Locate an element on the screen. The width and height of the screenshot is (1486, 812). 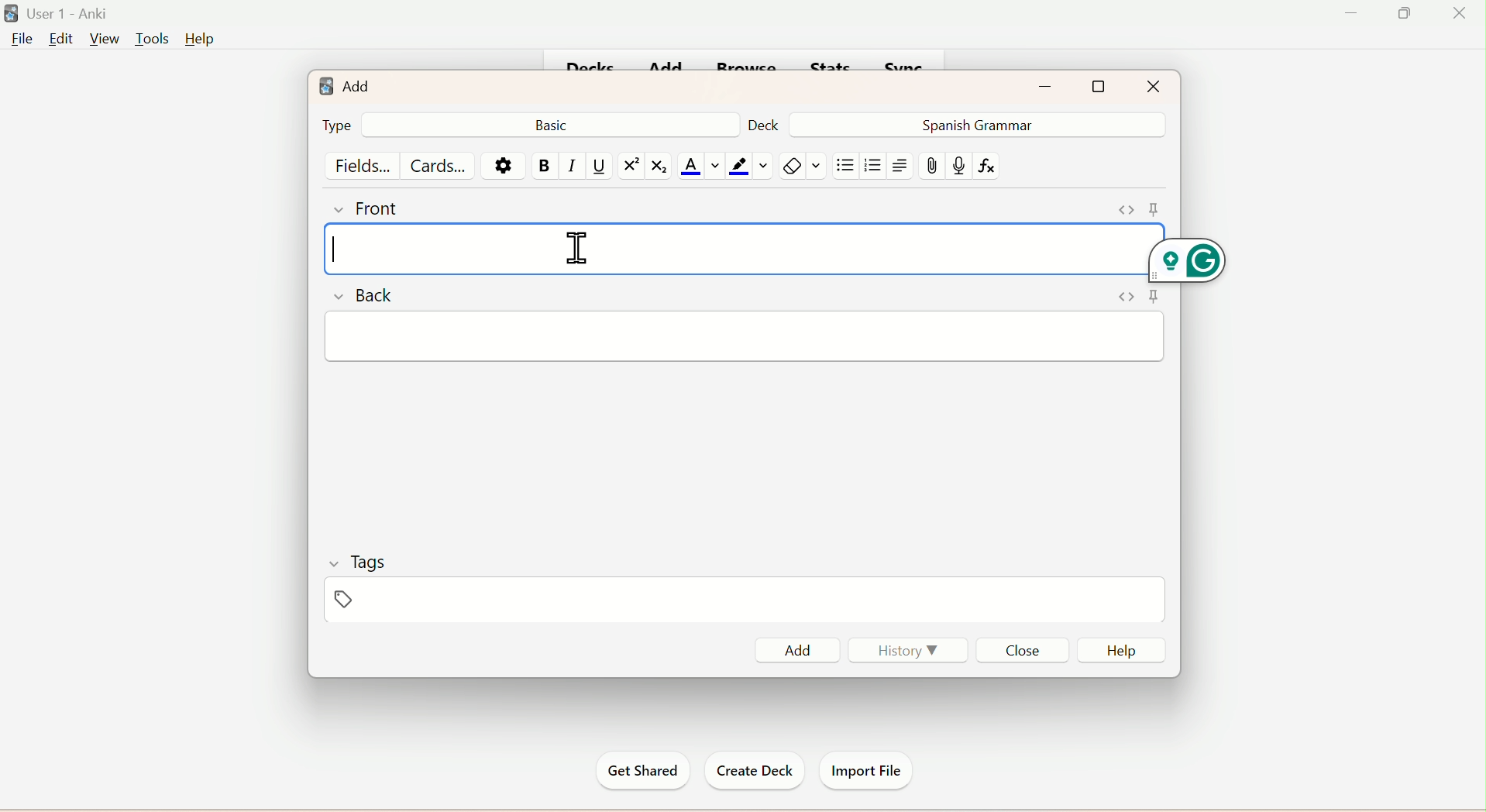
Settings is located at coordinates (500, 165).